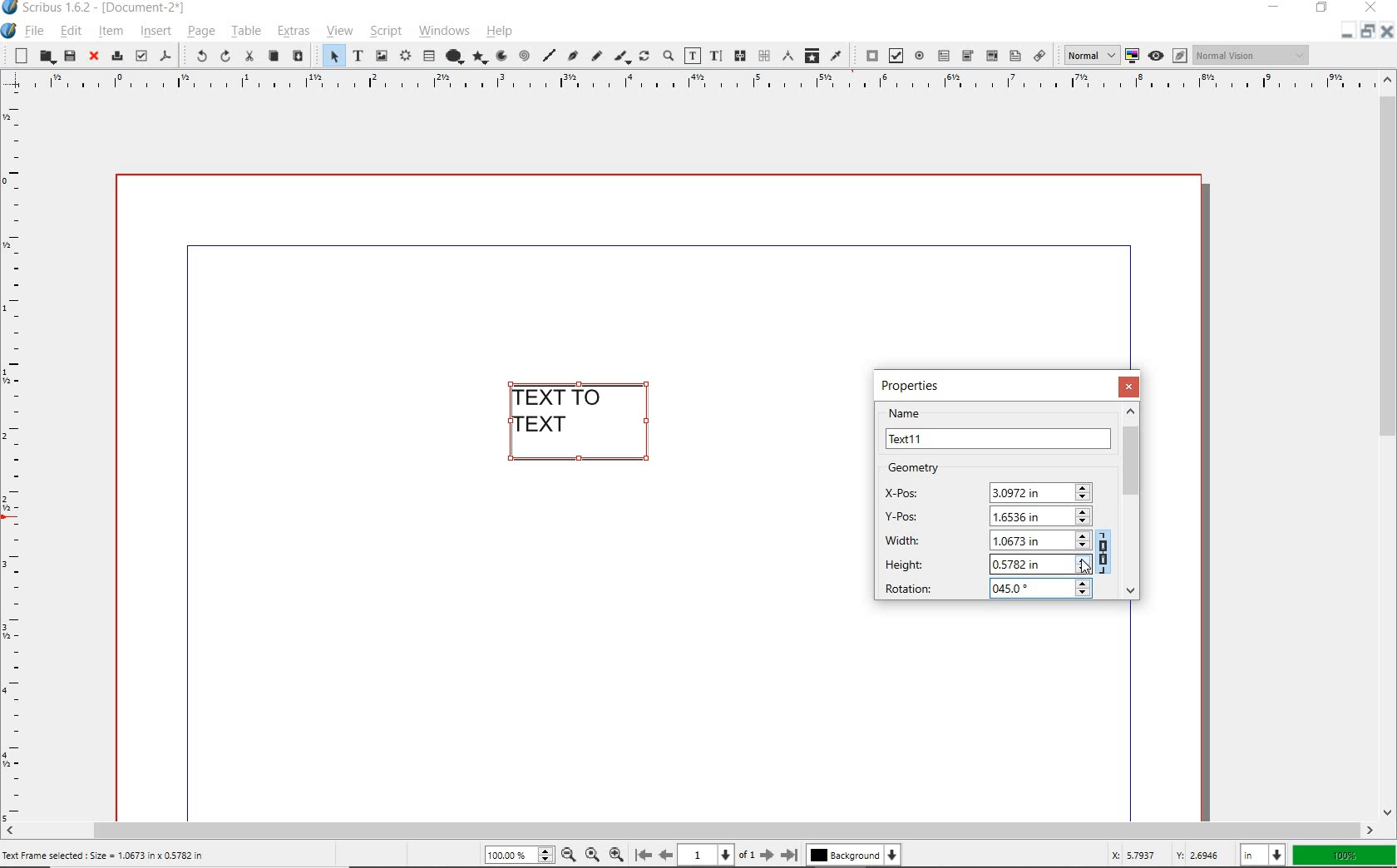  Describe the element at coordinates (967, 55) in the screenshot. I see `pdf combo box` at that location.